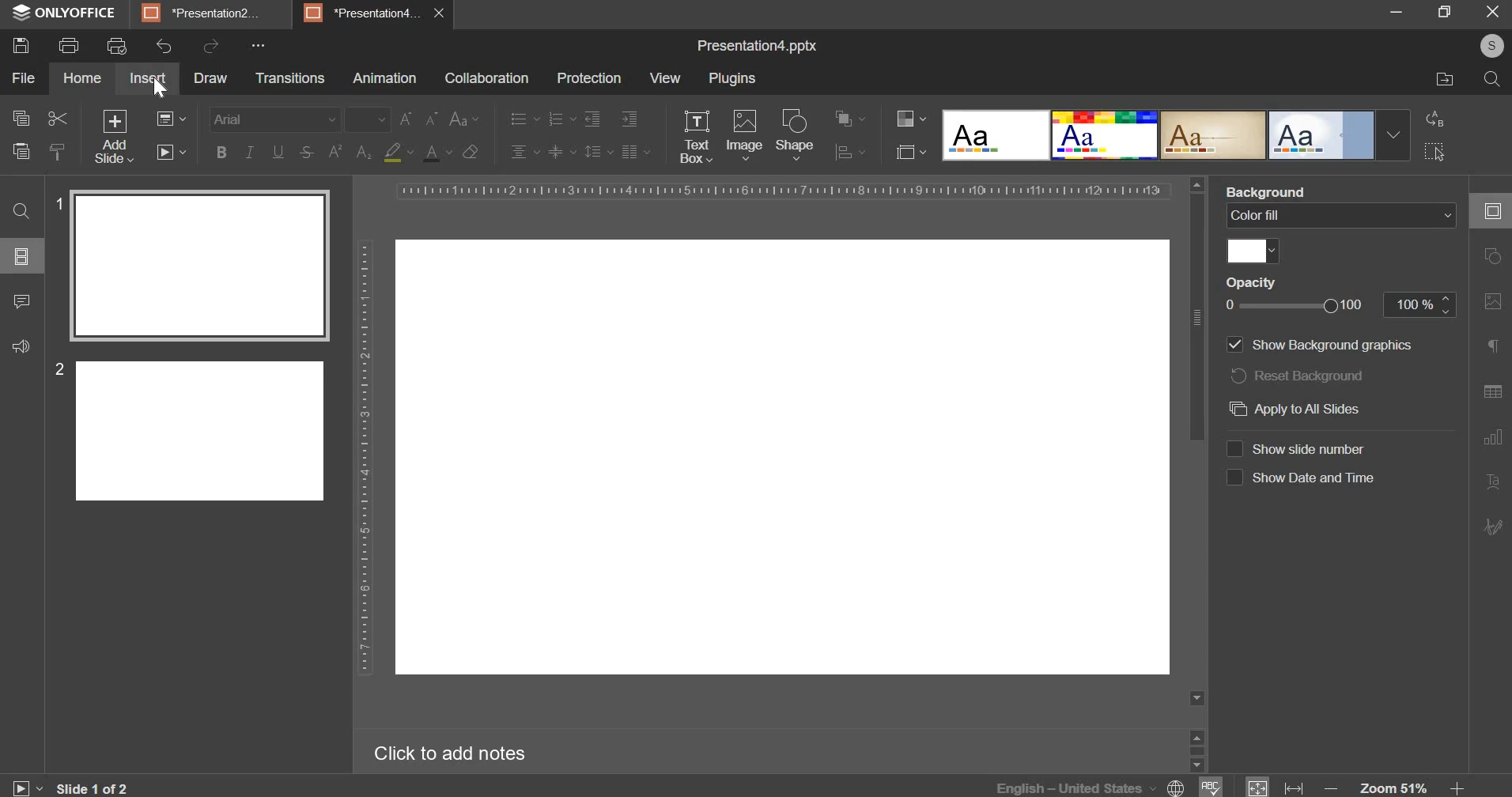 The image size is (1512, 797). I want to click on opacity, so click(1341, 304).